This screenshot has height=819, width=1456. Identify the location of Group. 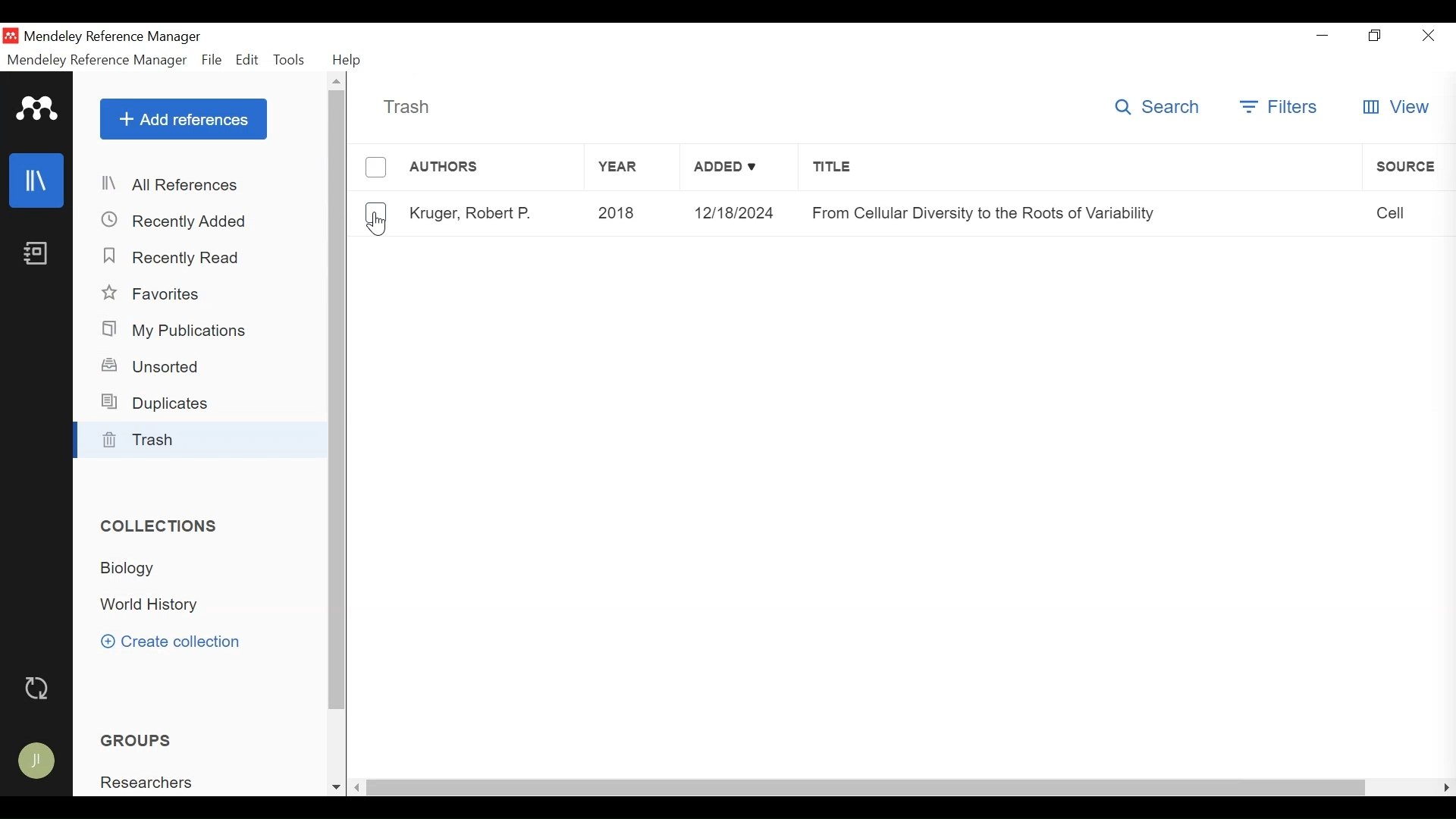
(147, 739).